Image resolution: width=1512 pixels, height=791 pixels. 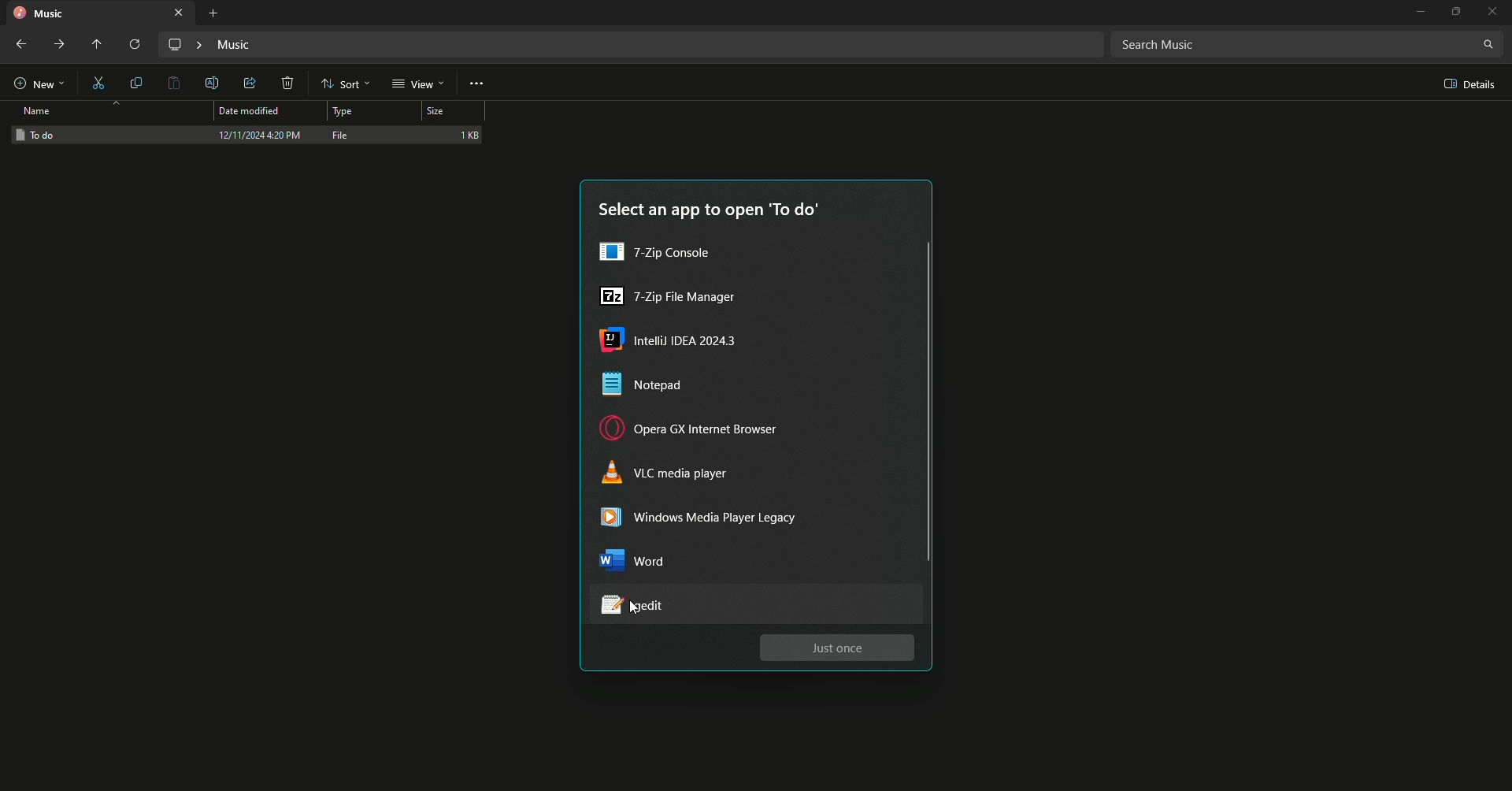 What do you see at coordinates (709, 211) in the screenshot?
I see `Select an app` at bounding box center [709, 211].